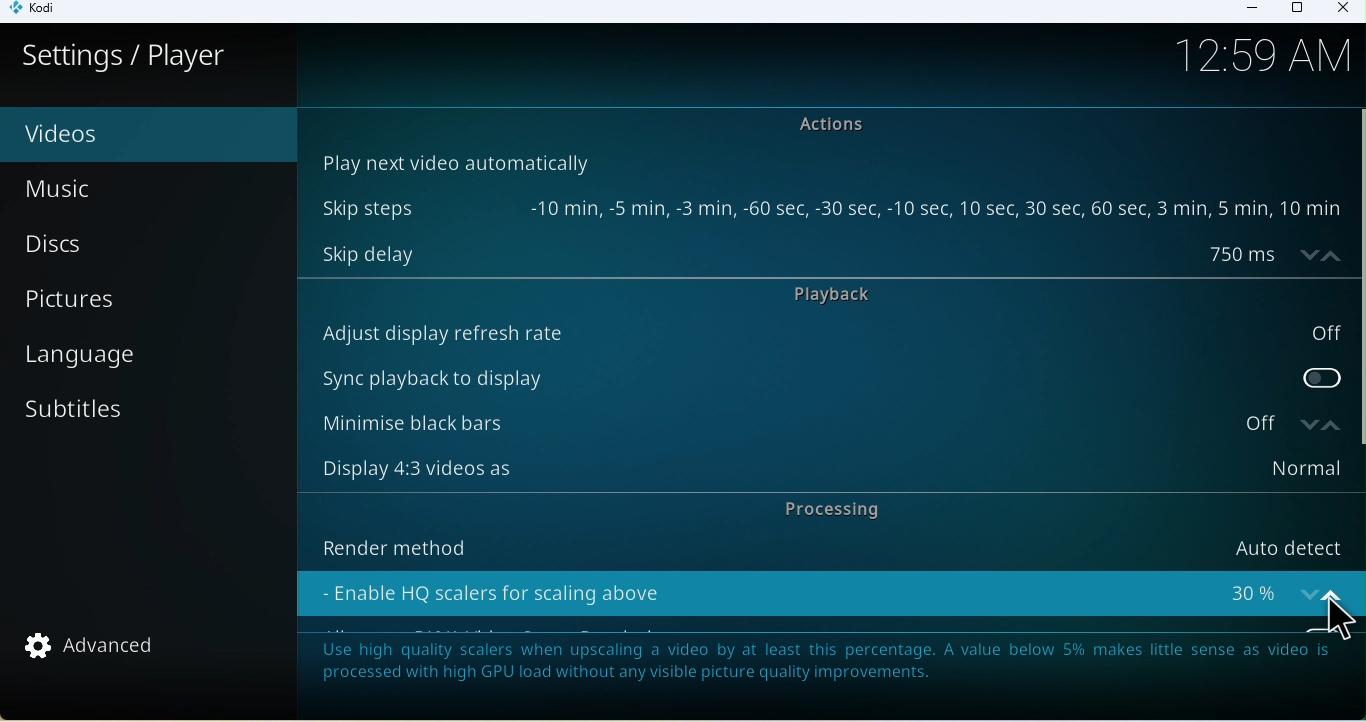  Describe the element at coordinates (1315, 254) in the screenshot. I see `increase/decrease` at that location.